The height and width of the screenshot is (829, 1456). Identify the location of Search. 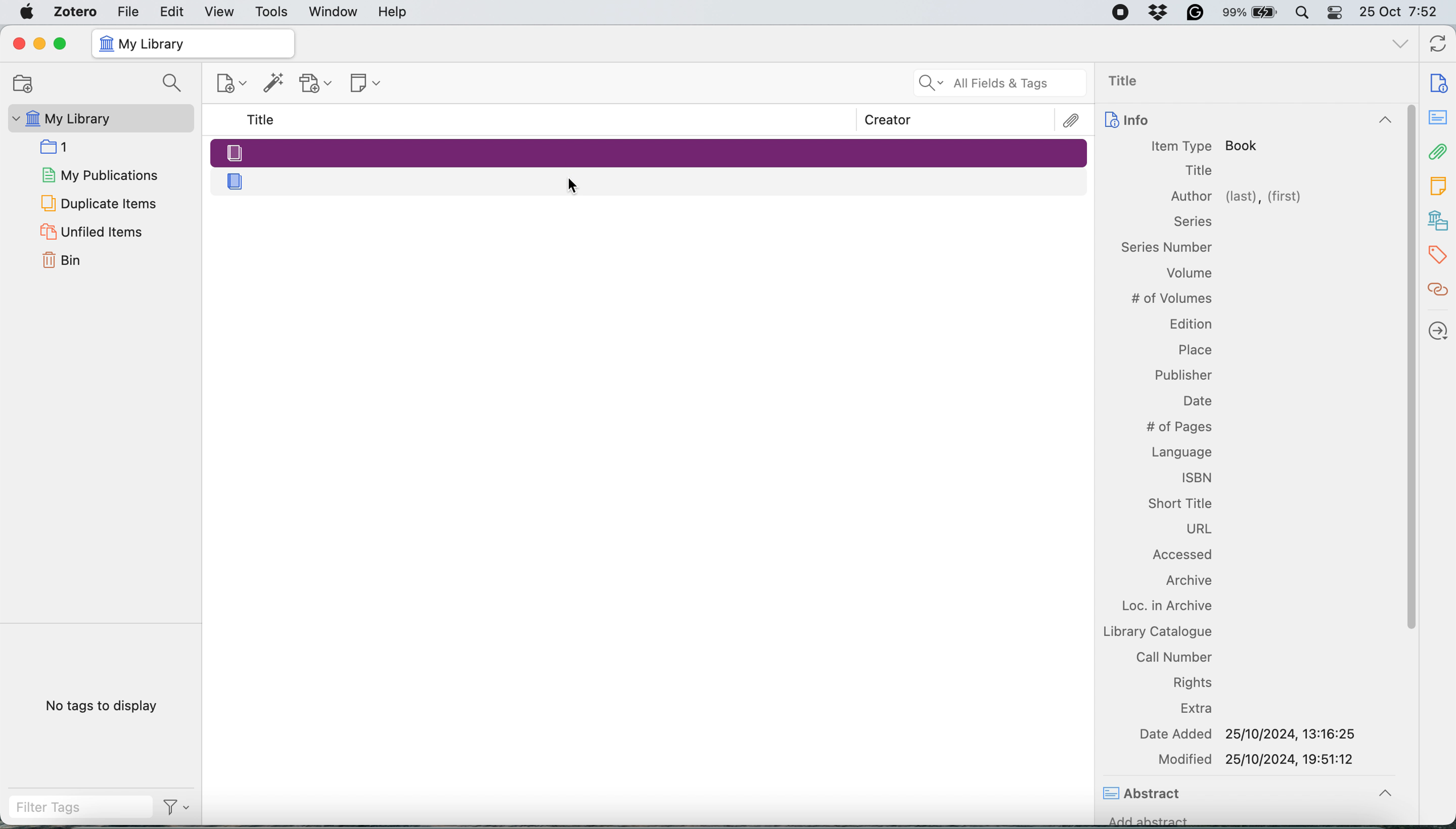
(175, 84).